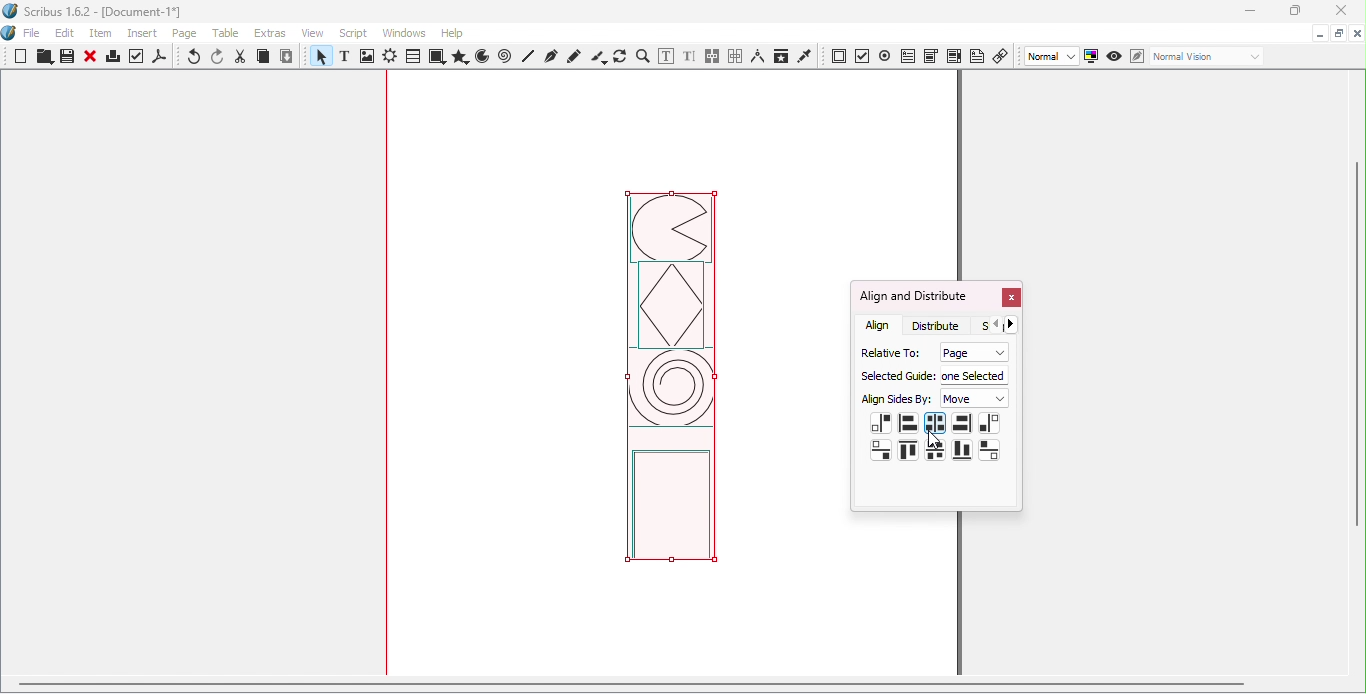  What do you see at coordinates (356, 32) in the screenshot?
I see `Script` at bounding box center [356, 32].